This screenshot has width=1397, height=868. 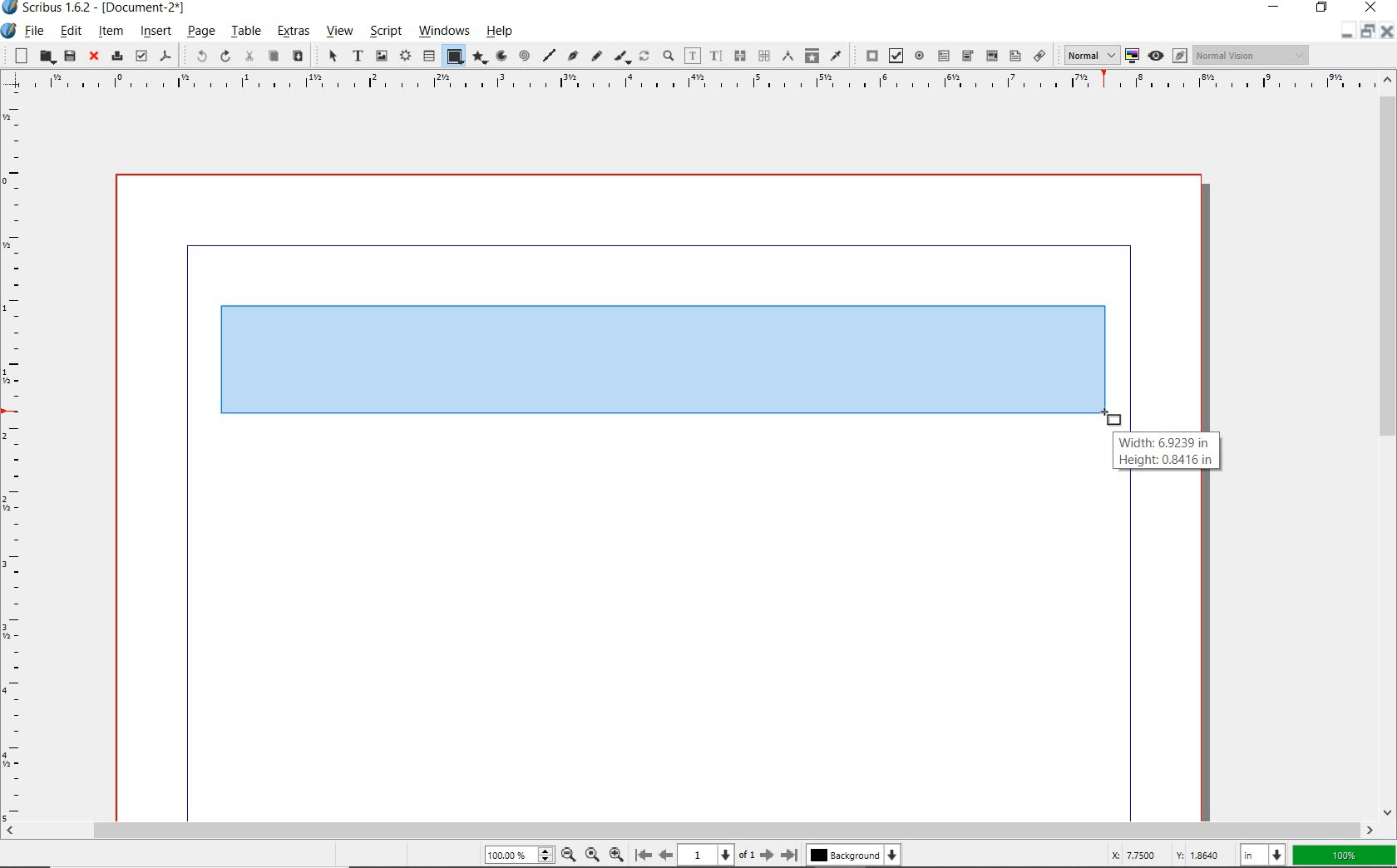 What do you see at coordinates (201, 31) in the screenshot?
I see `page` at bounding box center [201, 31].